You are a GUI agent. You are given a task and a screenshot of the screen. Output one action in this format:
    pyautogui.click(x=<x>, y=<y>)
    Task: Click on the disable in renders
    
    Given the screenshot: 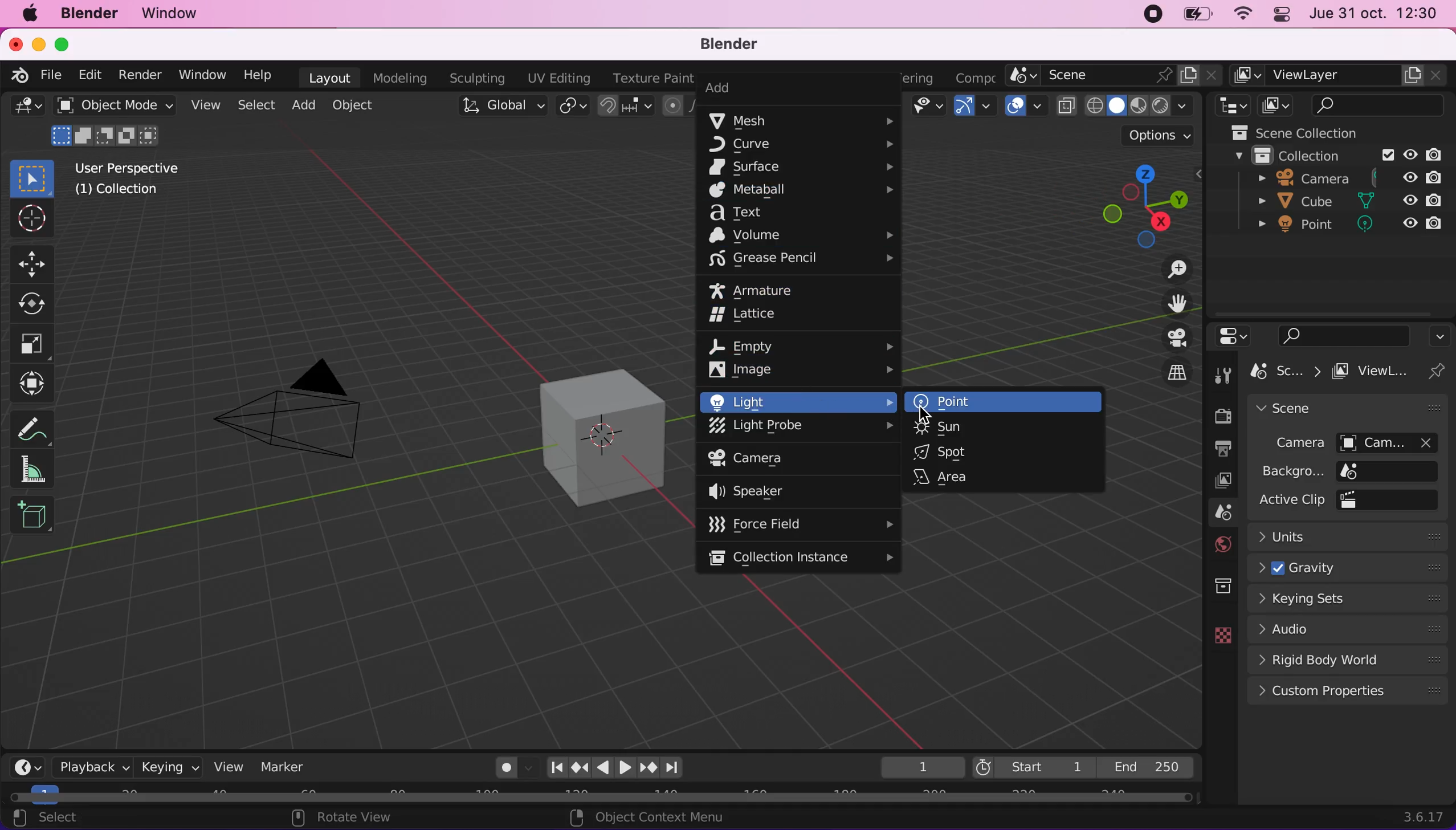 What is the action you would take?
    pyautogui.click(x=1439, y=153)
    